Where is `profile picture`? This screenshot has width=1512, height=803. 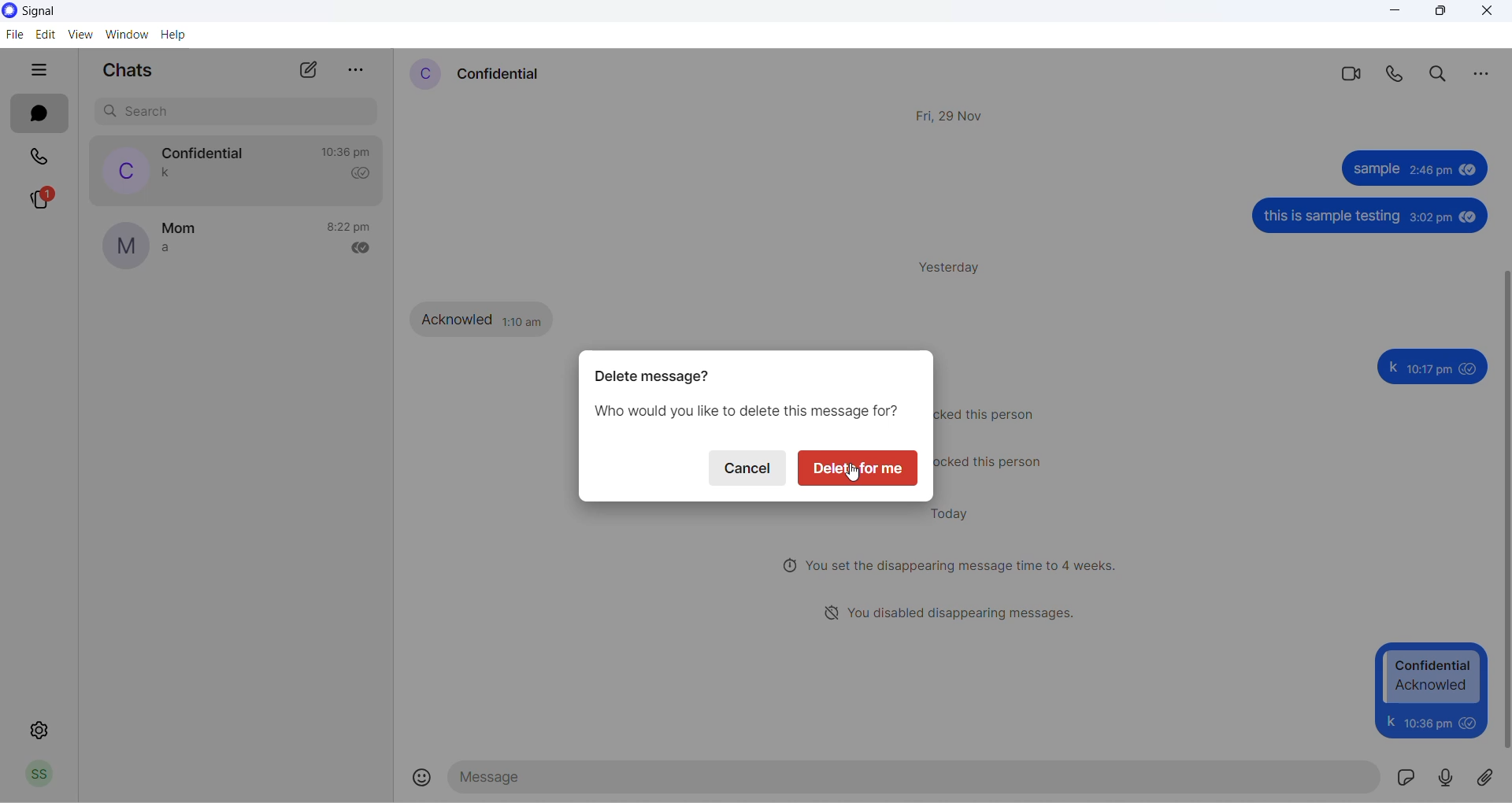 profile picture is located at coordinates (122, 170).